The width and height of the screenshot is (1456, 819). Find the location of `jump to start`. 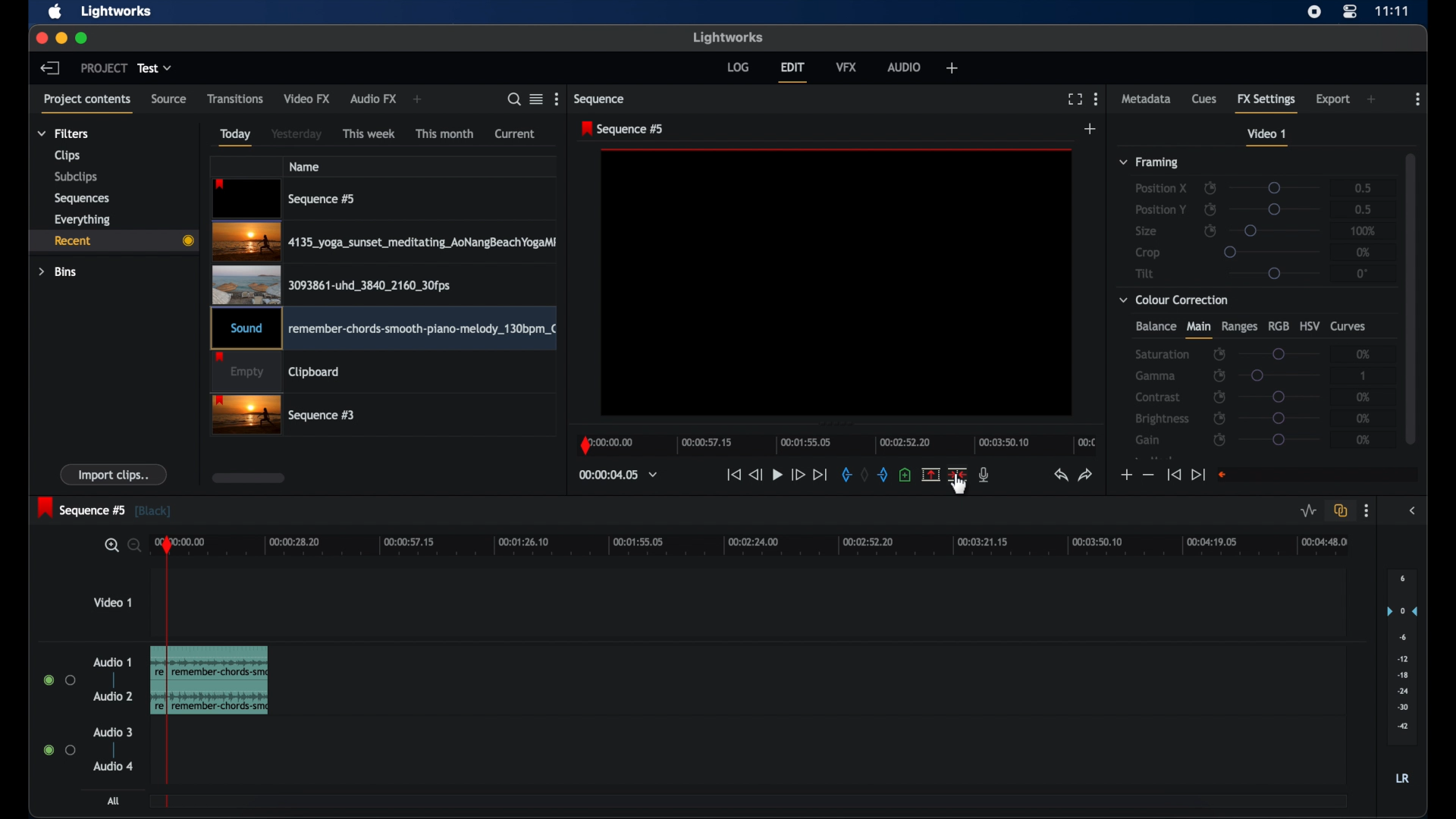

jump to start is located at coordinates (733, 475).